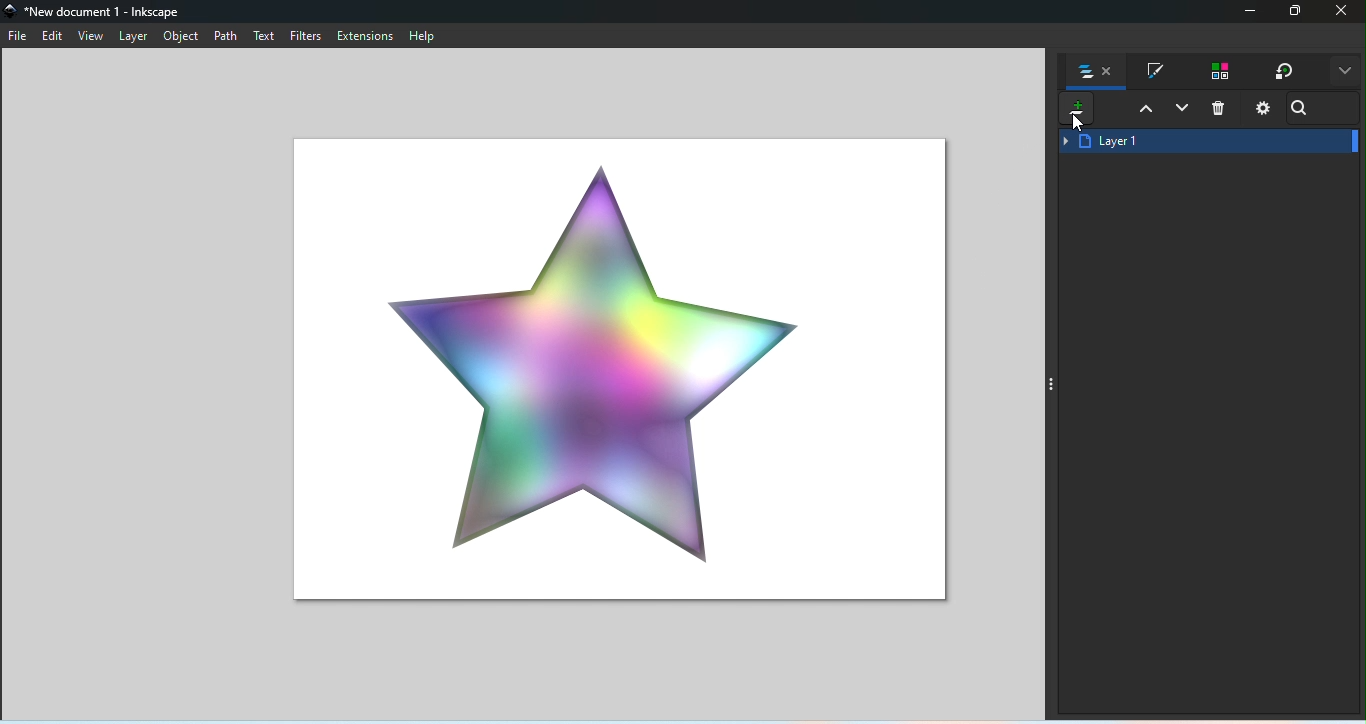  Describe the element at coordinates (1140, 112) in the screenshot. I see `Raise selection one layer` at that location.